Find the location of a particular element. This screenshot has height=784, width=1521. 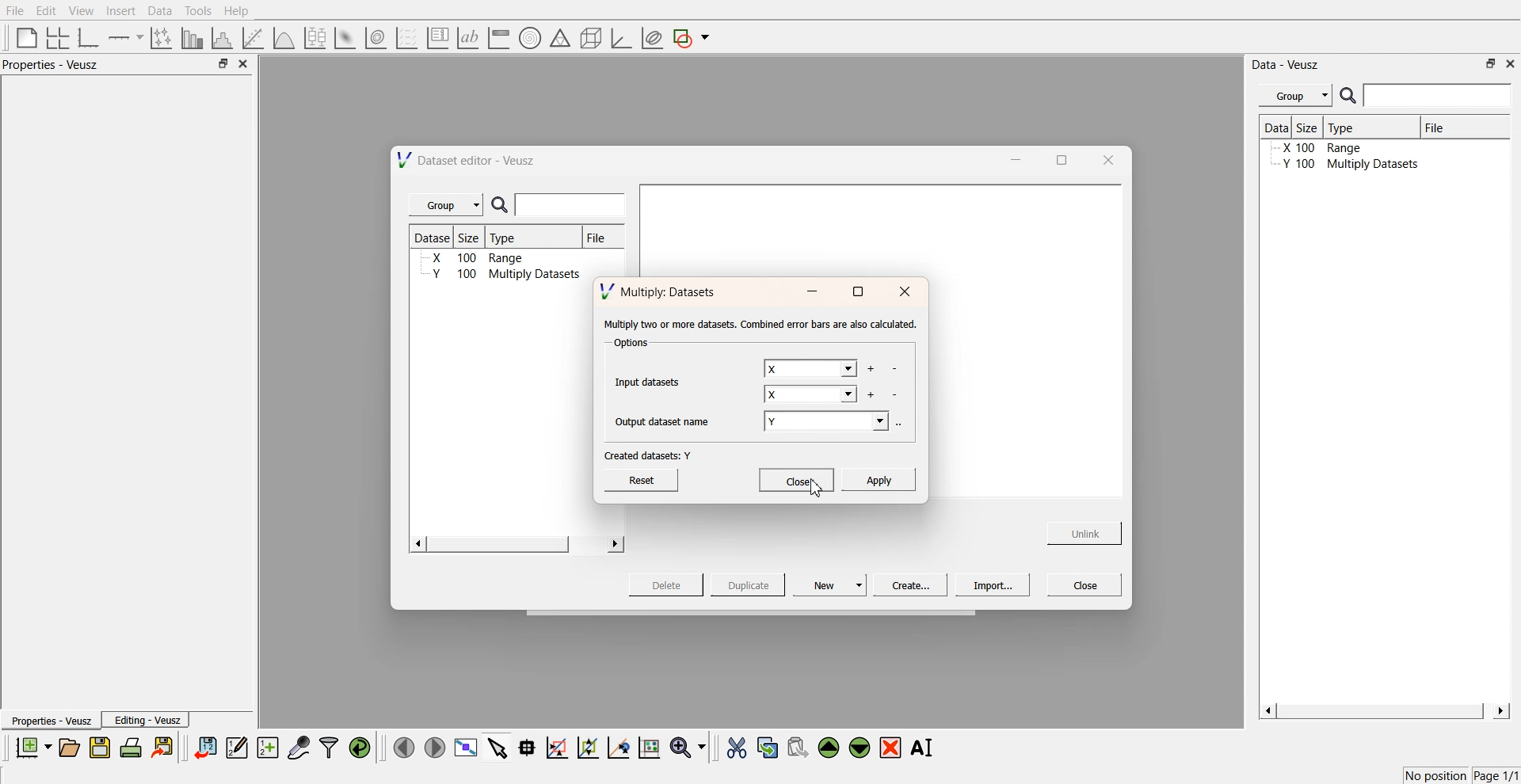

Size is located at coordinates (474, 238).